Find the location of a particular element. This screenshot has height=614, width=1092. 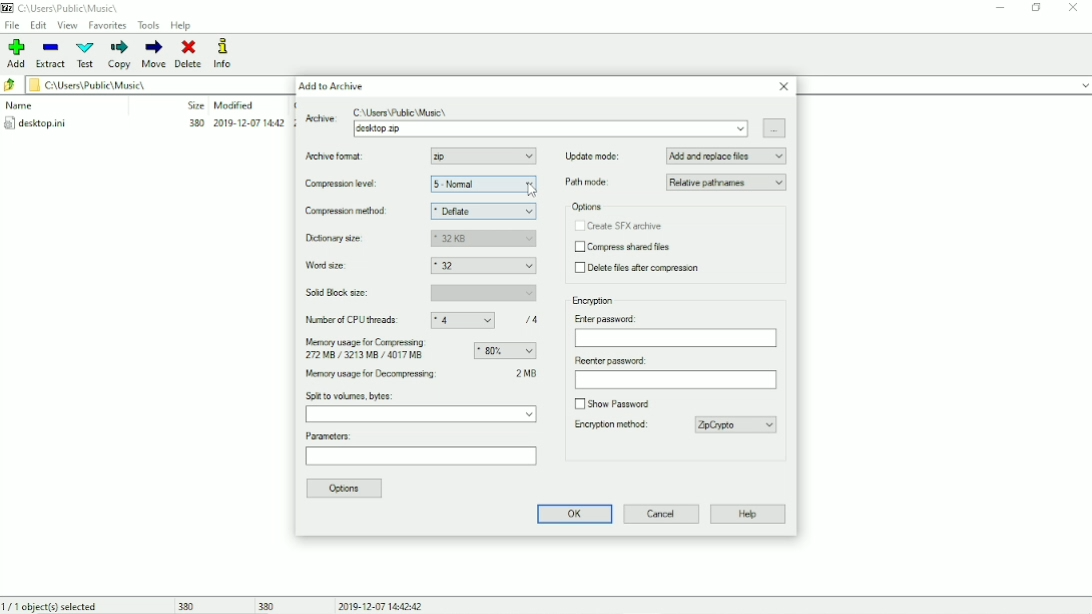

Tools is located at coordinates (149, 25).